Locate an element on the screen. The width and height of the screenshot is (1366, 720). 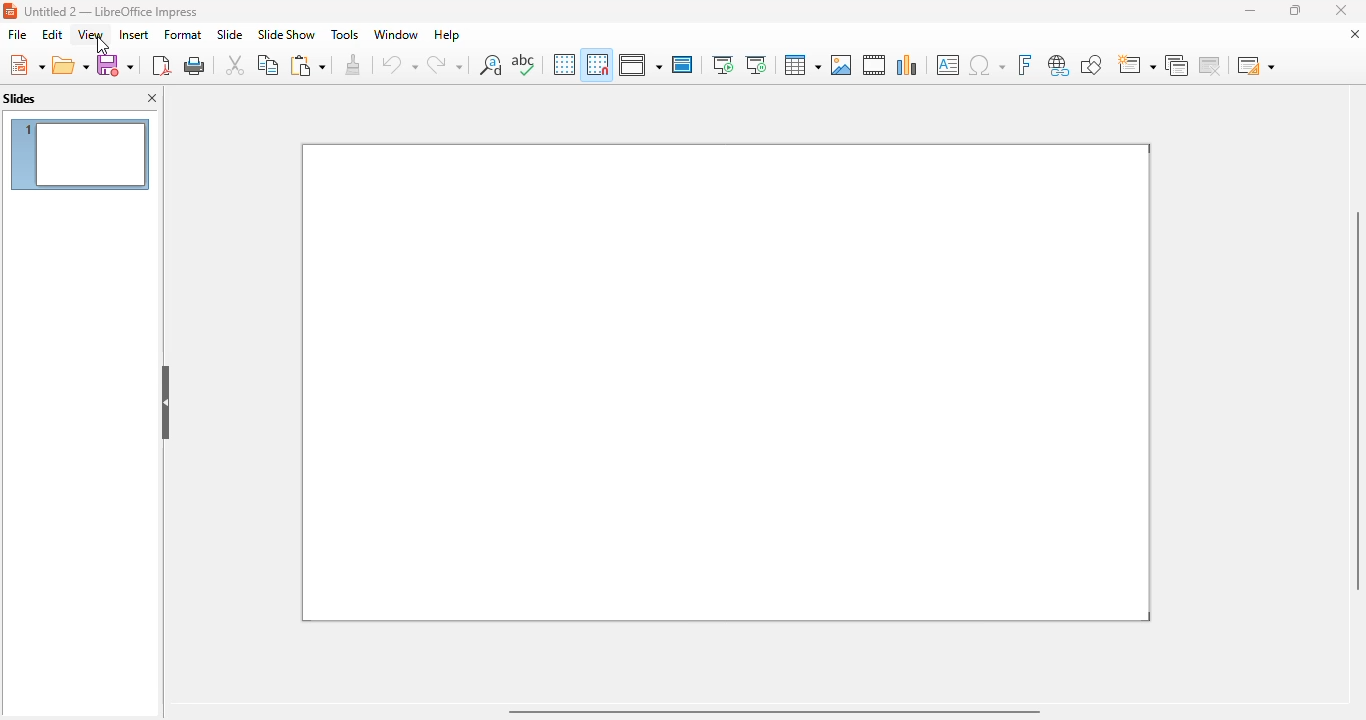
display views is located at coordinates (640, 64).